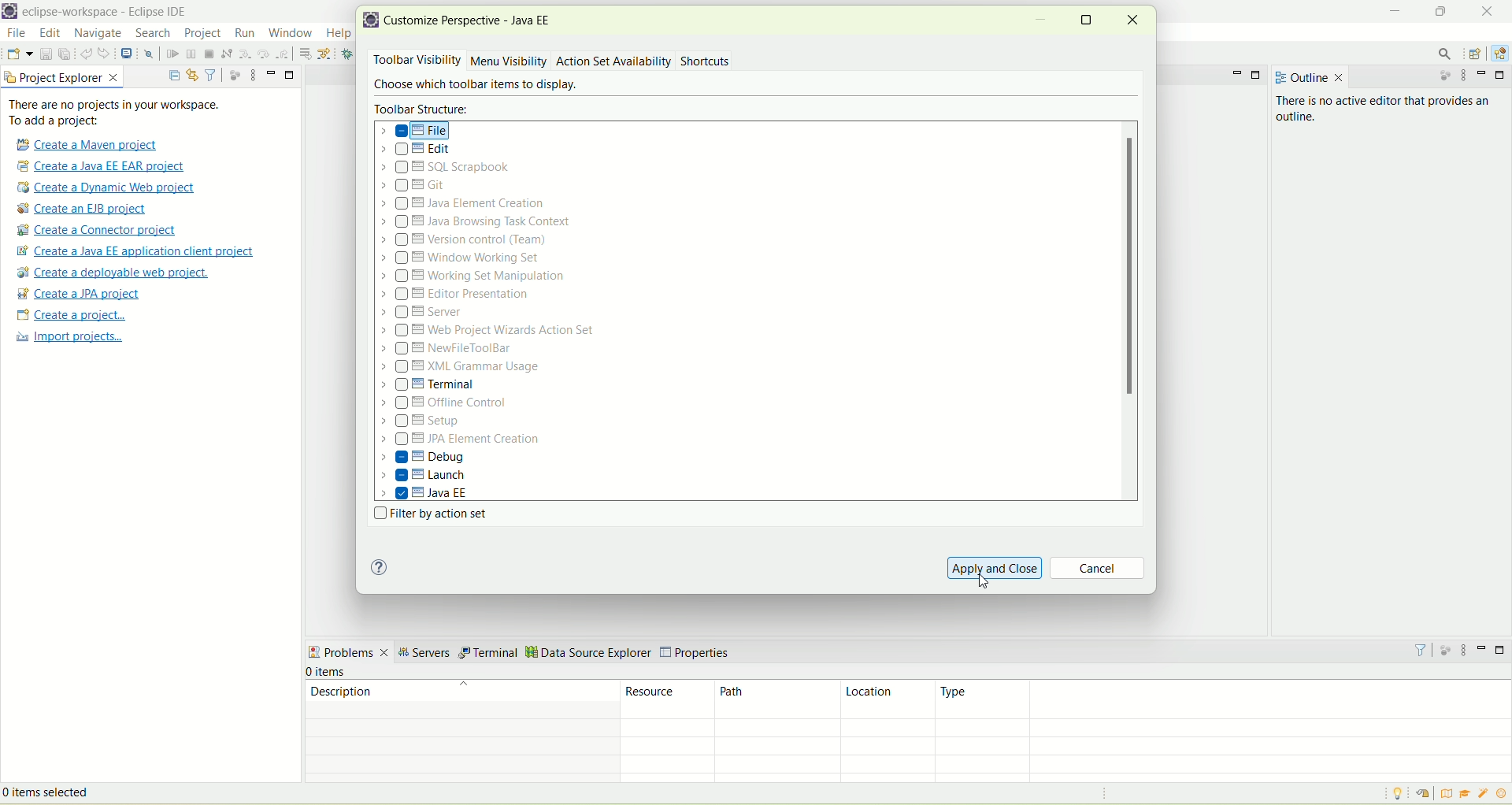  Describe the element at coordinates (426, 422) in the screenshot. I see `setup` at that location.